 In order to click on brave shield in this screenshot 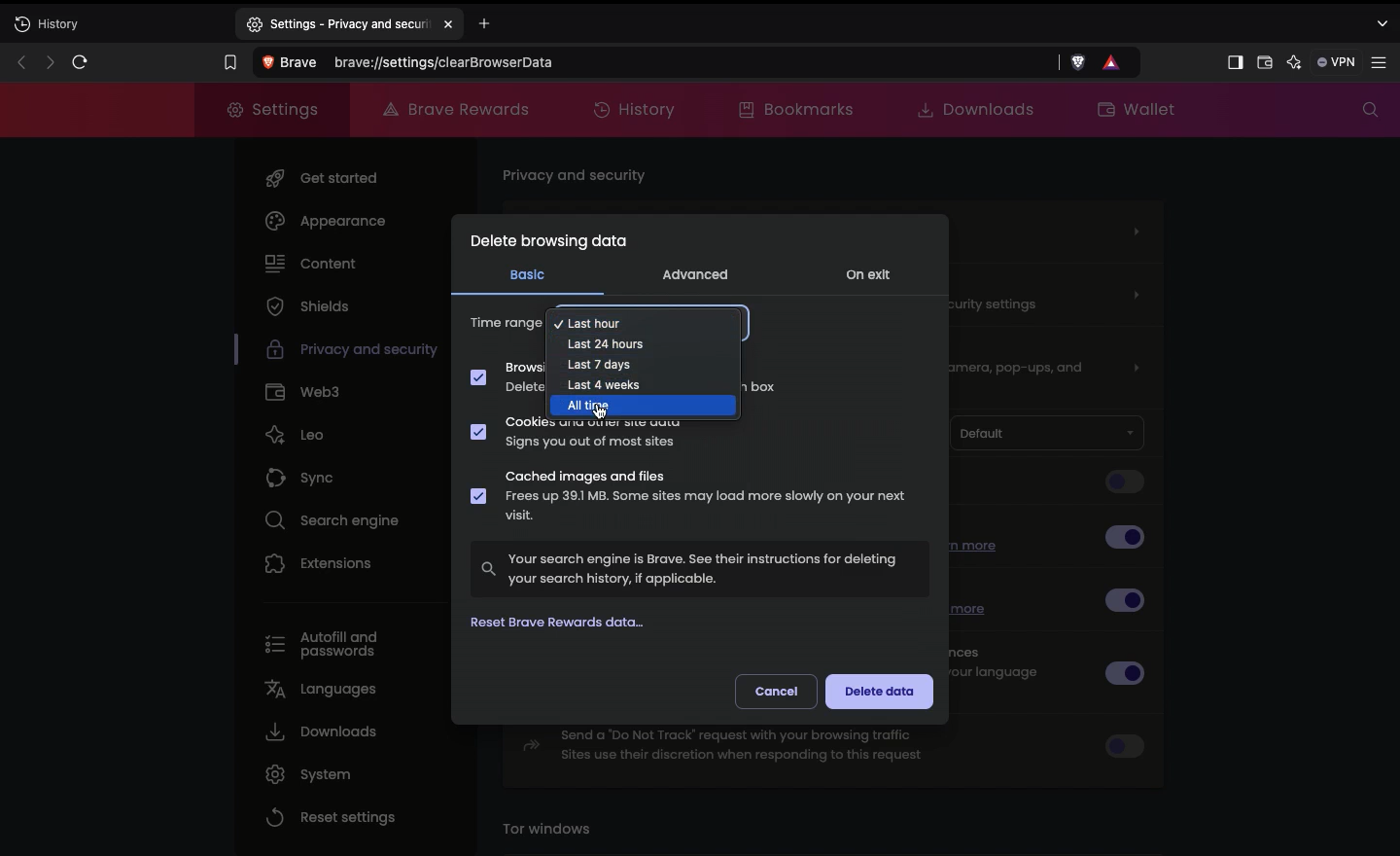, I will do `click(1080, 62)`.